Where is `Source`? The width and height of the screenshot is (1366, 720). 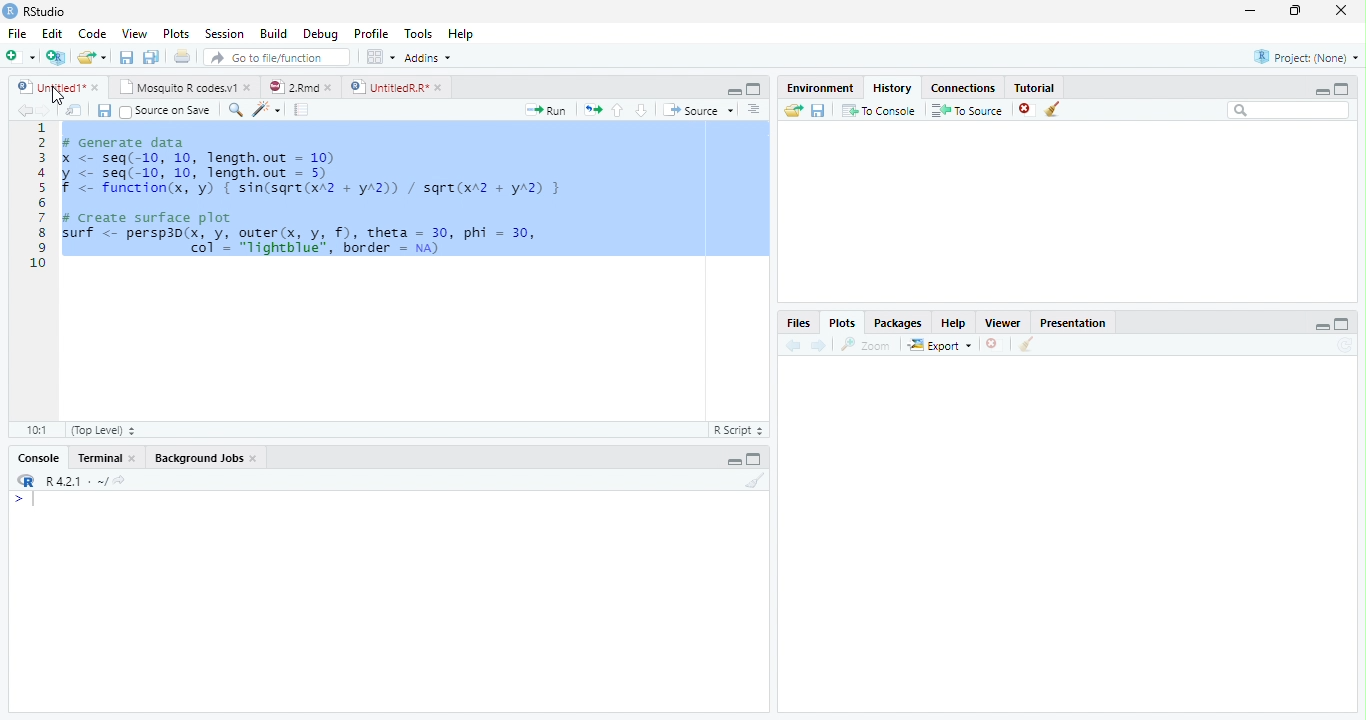
Source is located at coordinates (697, 109).